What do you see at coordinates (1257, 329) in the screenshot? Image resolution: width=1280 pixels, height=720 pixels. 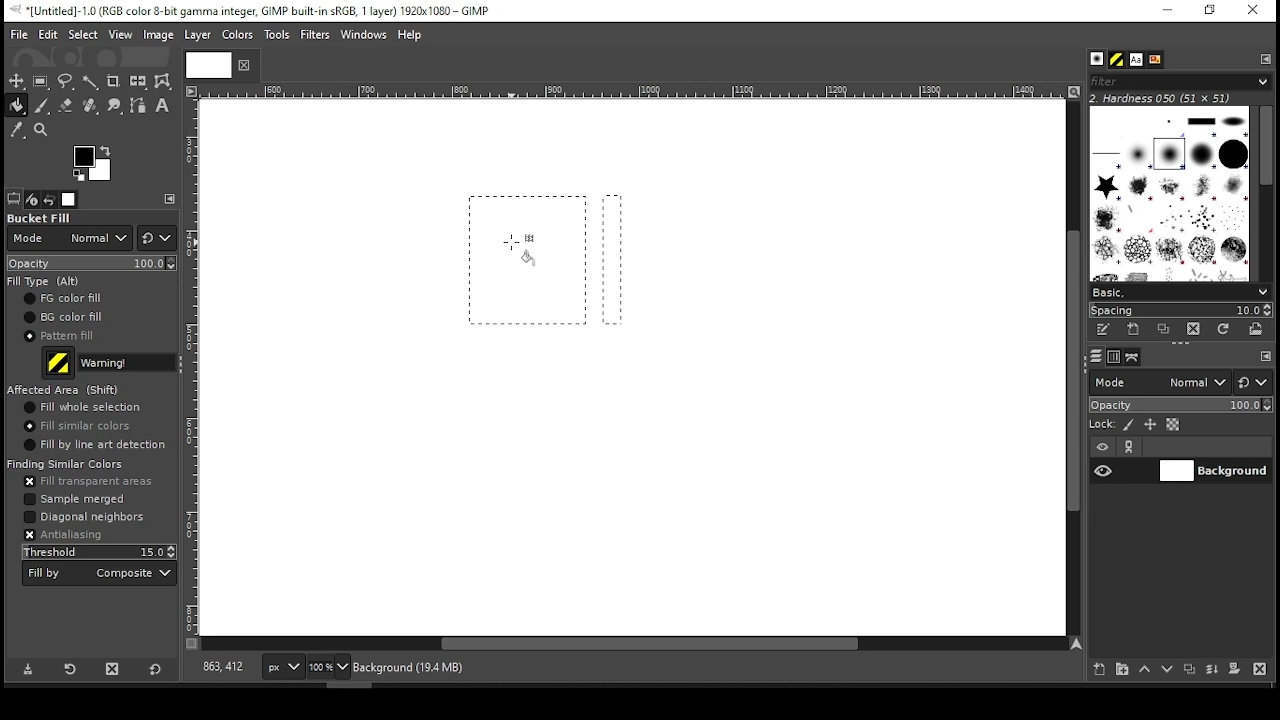 I see `open brush as image` at bounding box center [1257, 329].